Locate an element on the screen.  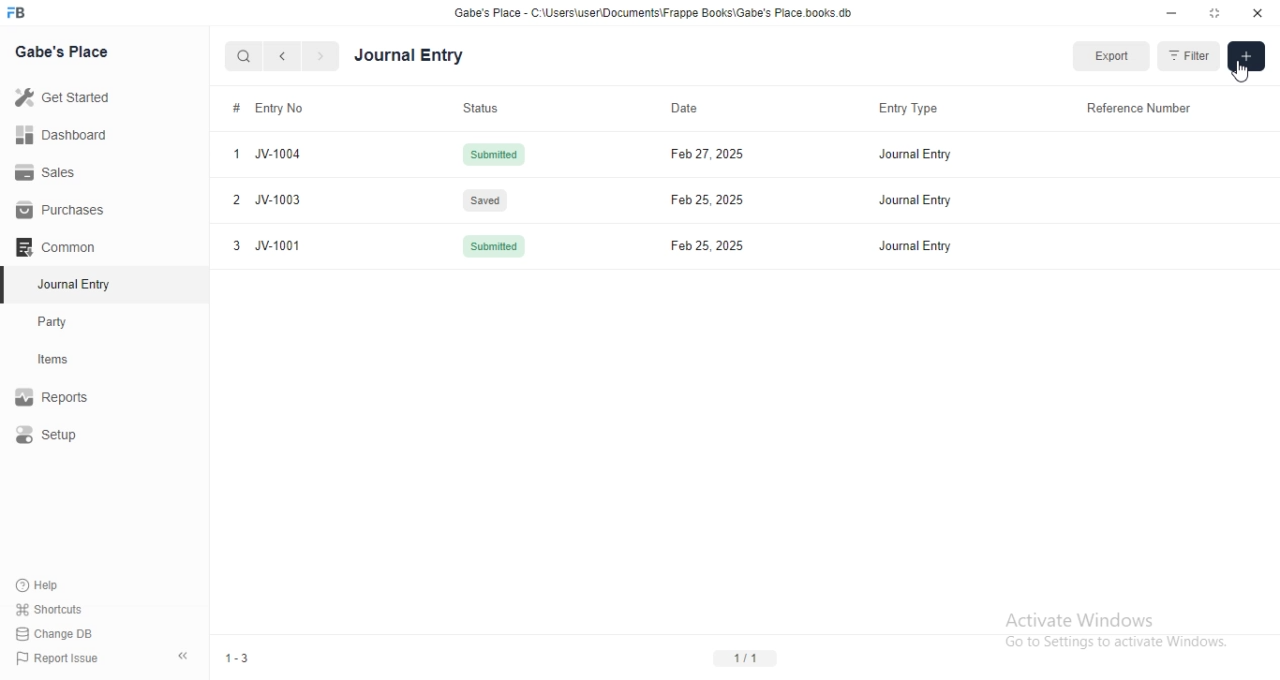
hide is located at coordinates (183, 658).